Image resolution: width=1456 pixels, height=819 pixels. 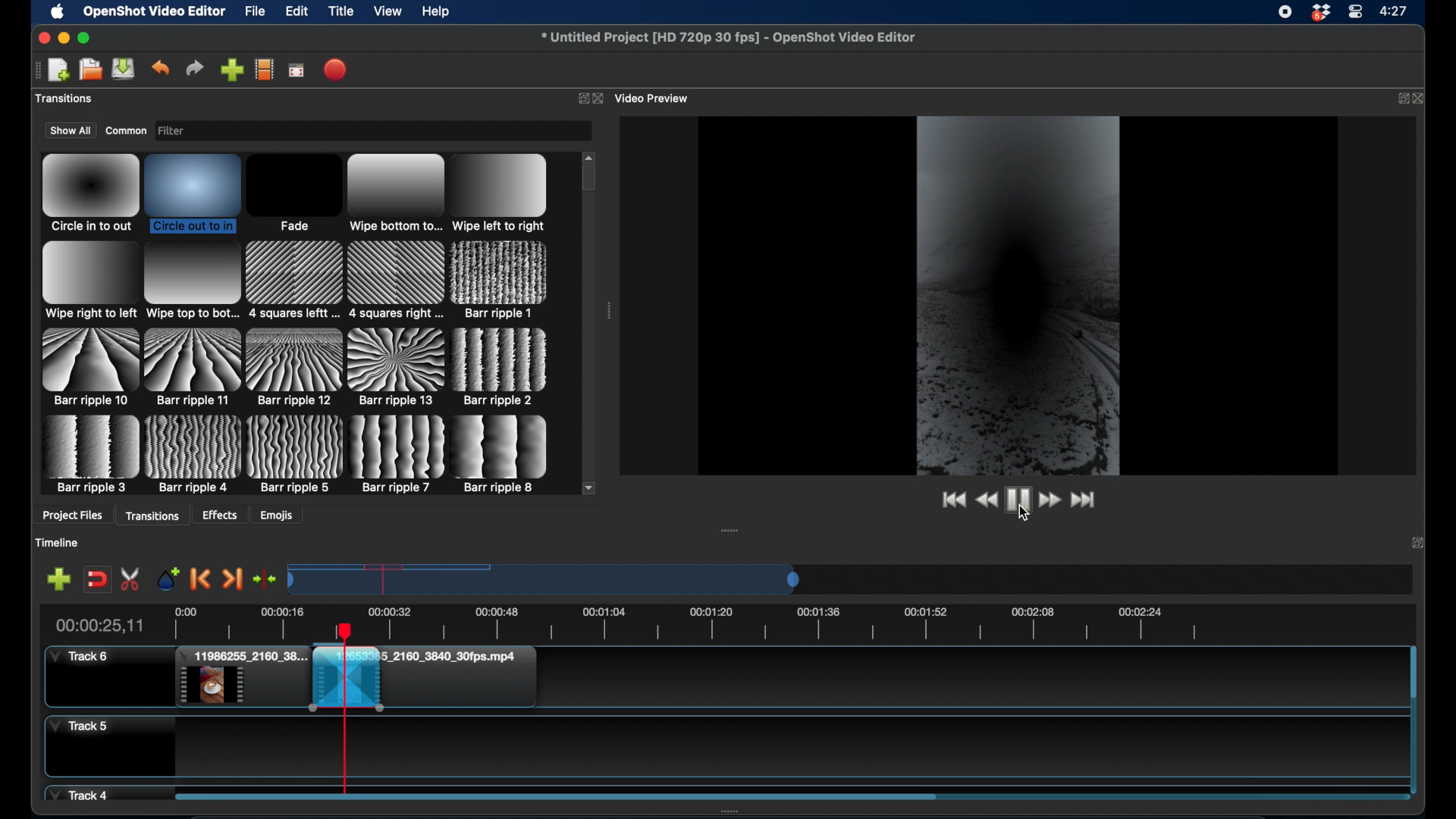 I want to click on transition, so click(x=395, y=280).